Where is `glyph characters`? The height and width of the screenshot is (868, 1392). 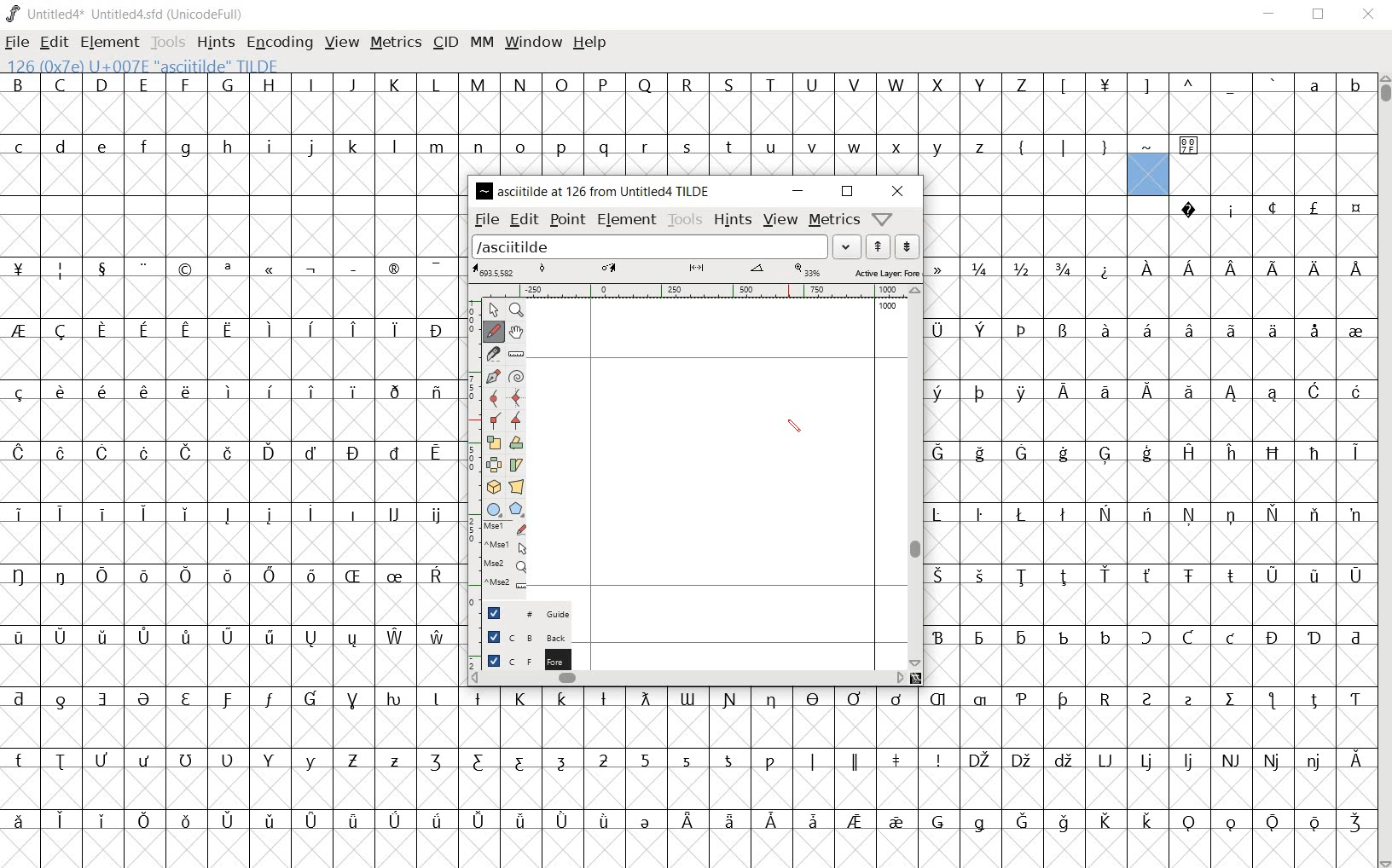 glyph characters is located at coordinates (919, 104).